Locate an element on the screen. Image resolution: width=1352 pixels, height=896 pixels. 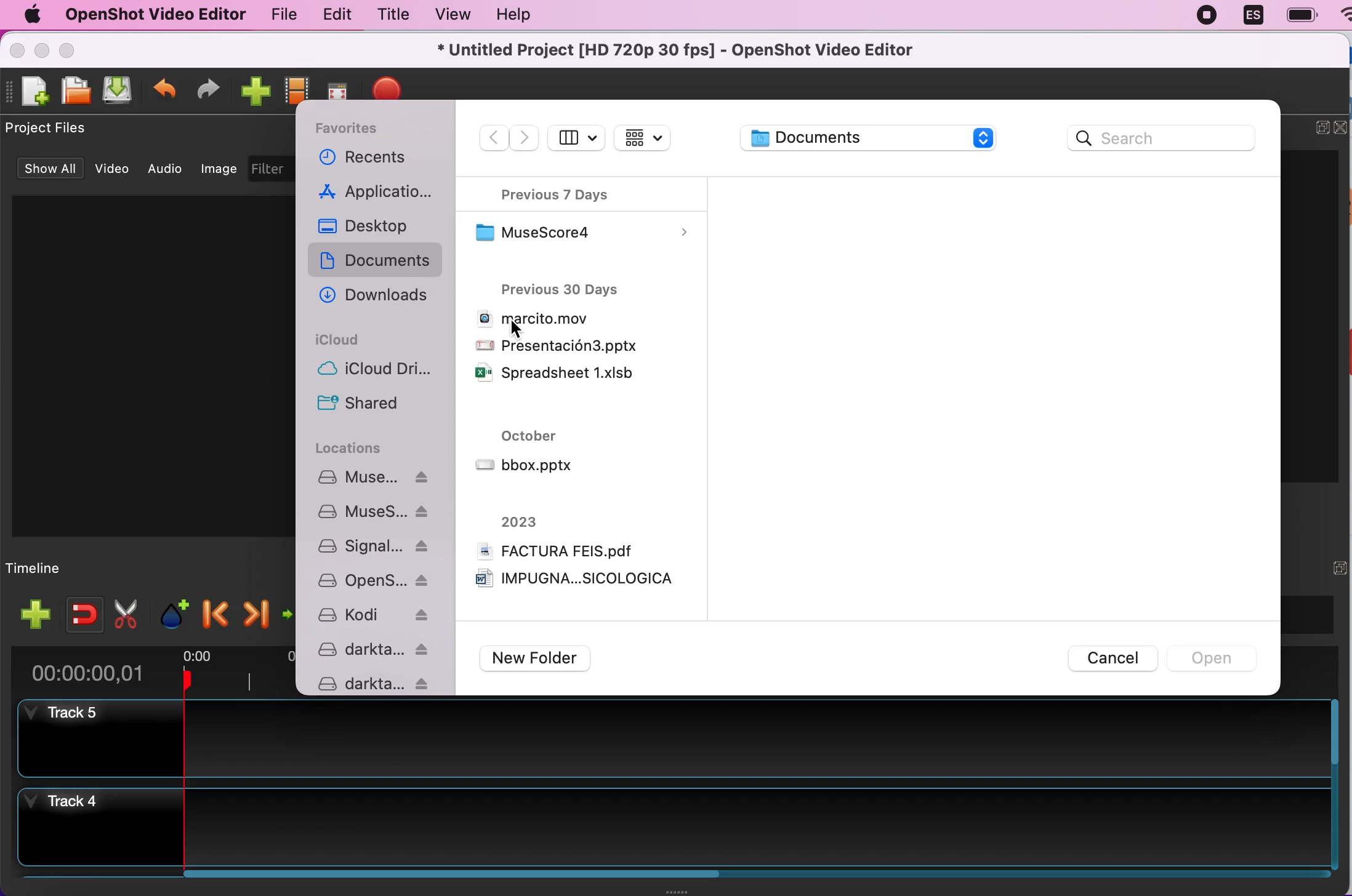
title is located at coordinates (391, 15).